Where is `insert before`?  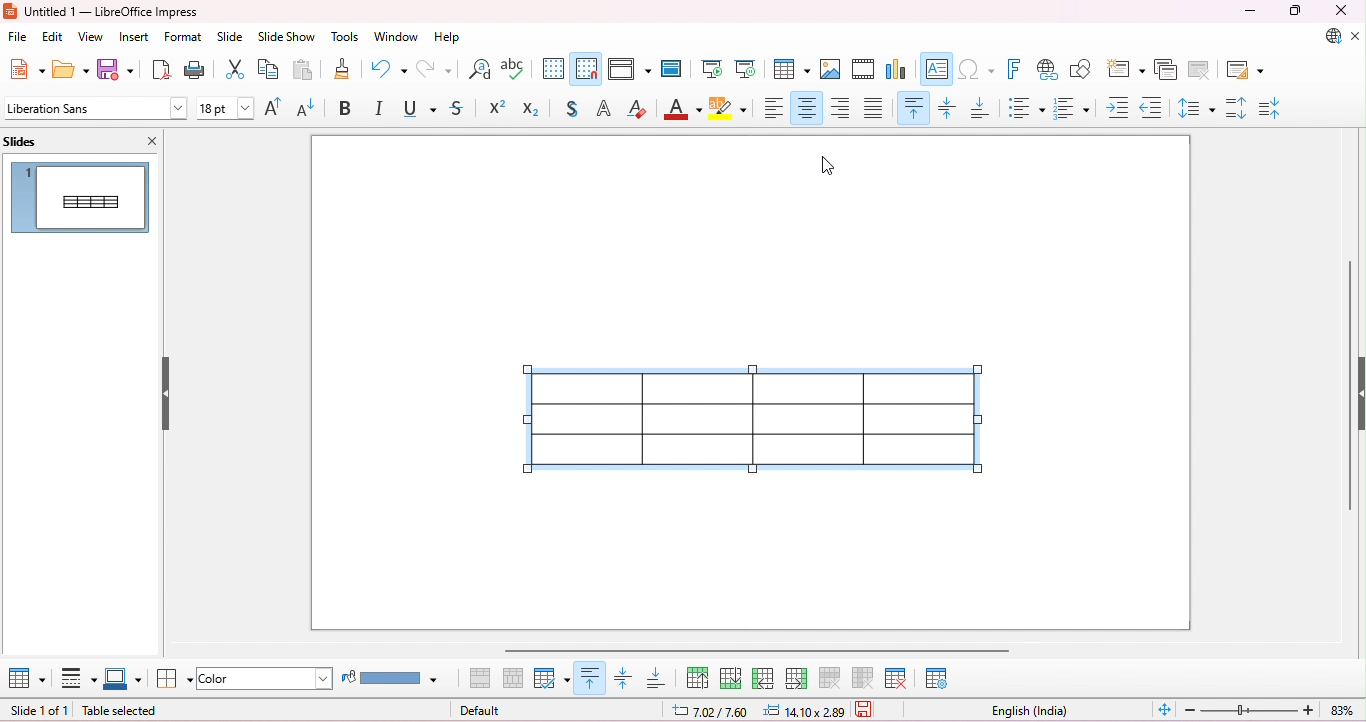
insert before is located at coordinates (763, 678).